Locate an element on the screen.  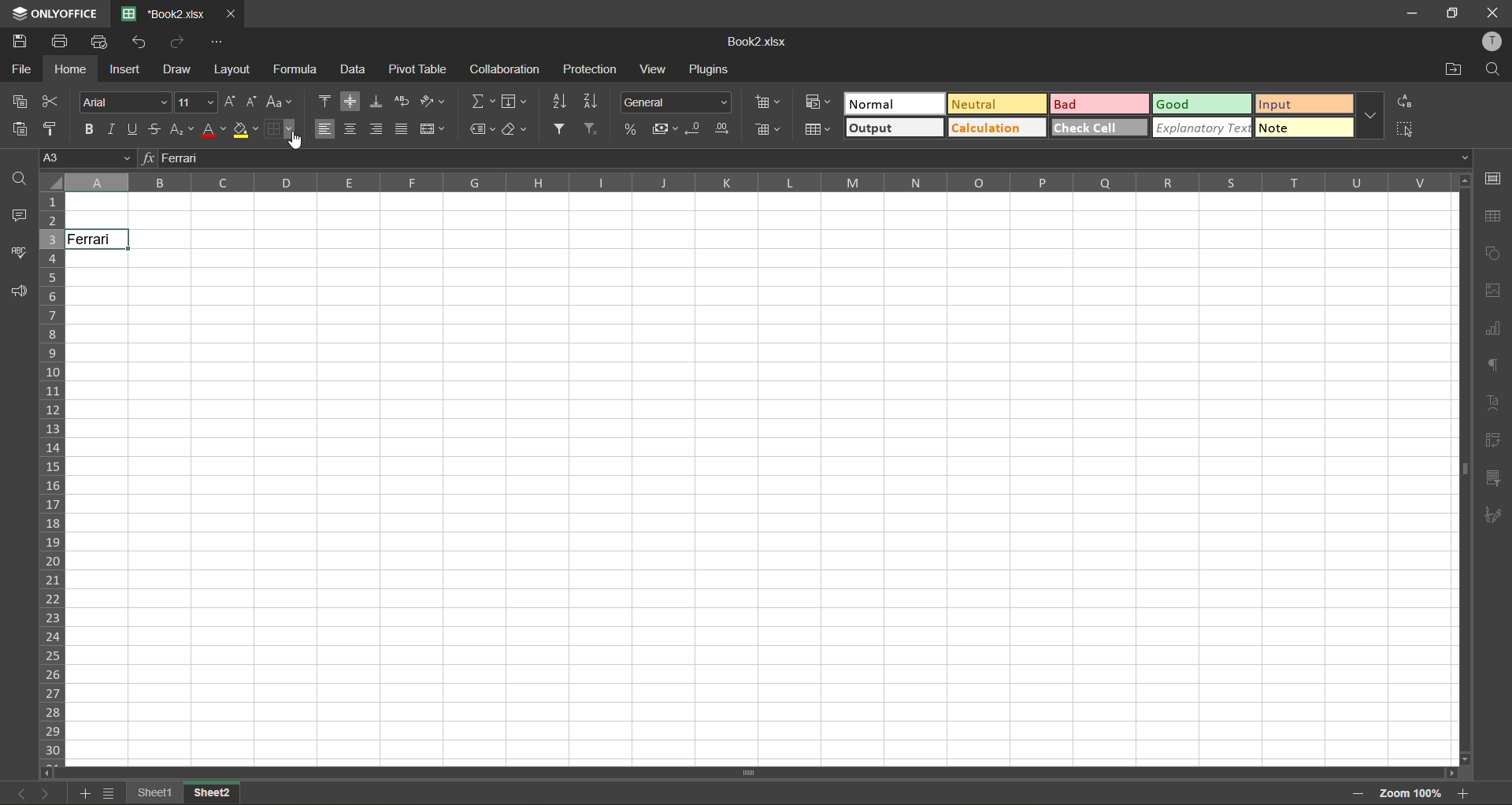
align top is located at coordinates (323, 101).